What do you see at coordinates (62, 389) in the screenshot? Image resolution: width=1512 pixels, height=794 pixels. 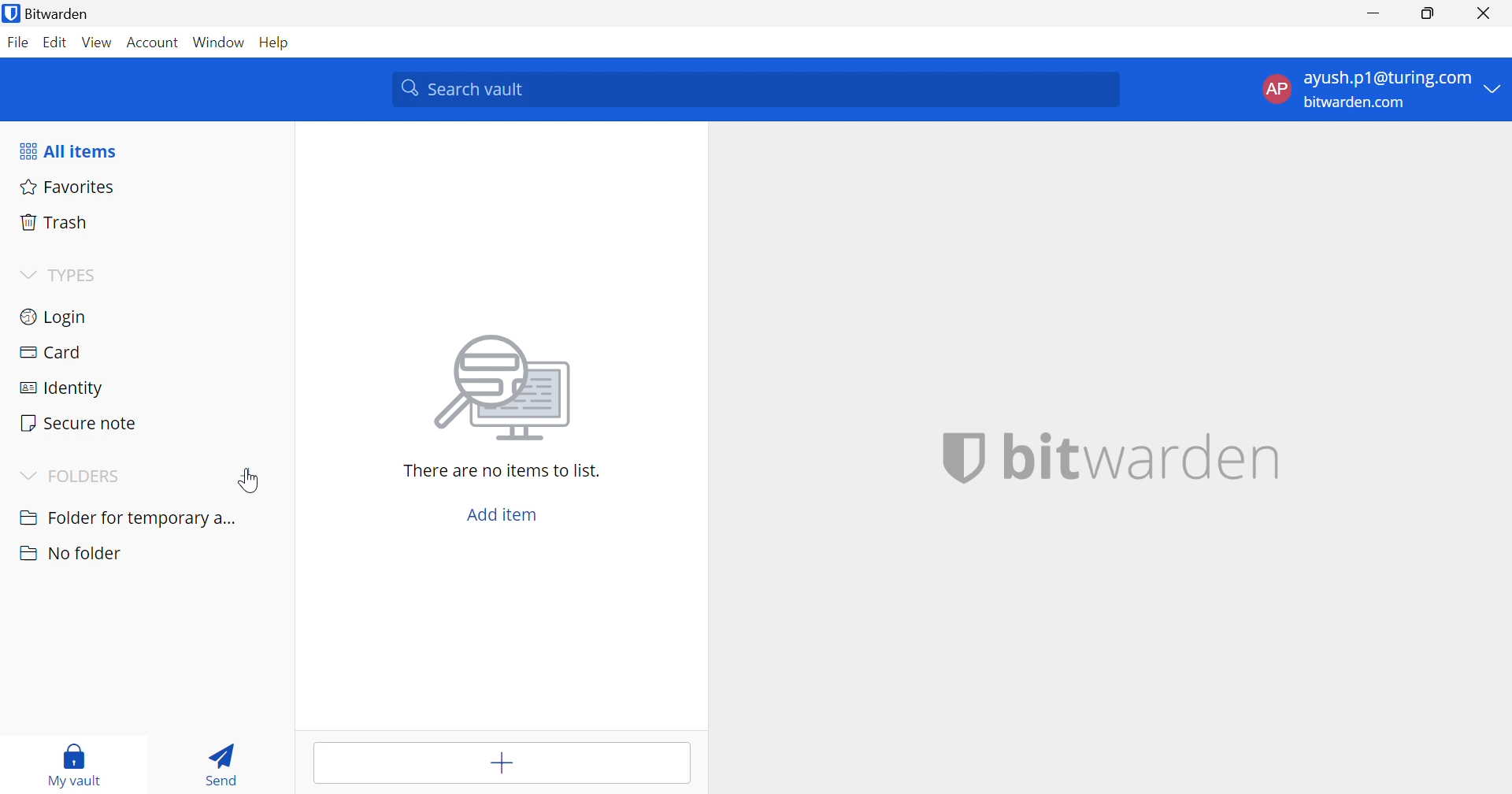 I see `Identity` at bounding box center [62, 389].